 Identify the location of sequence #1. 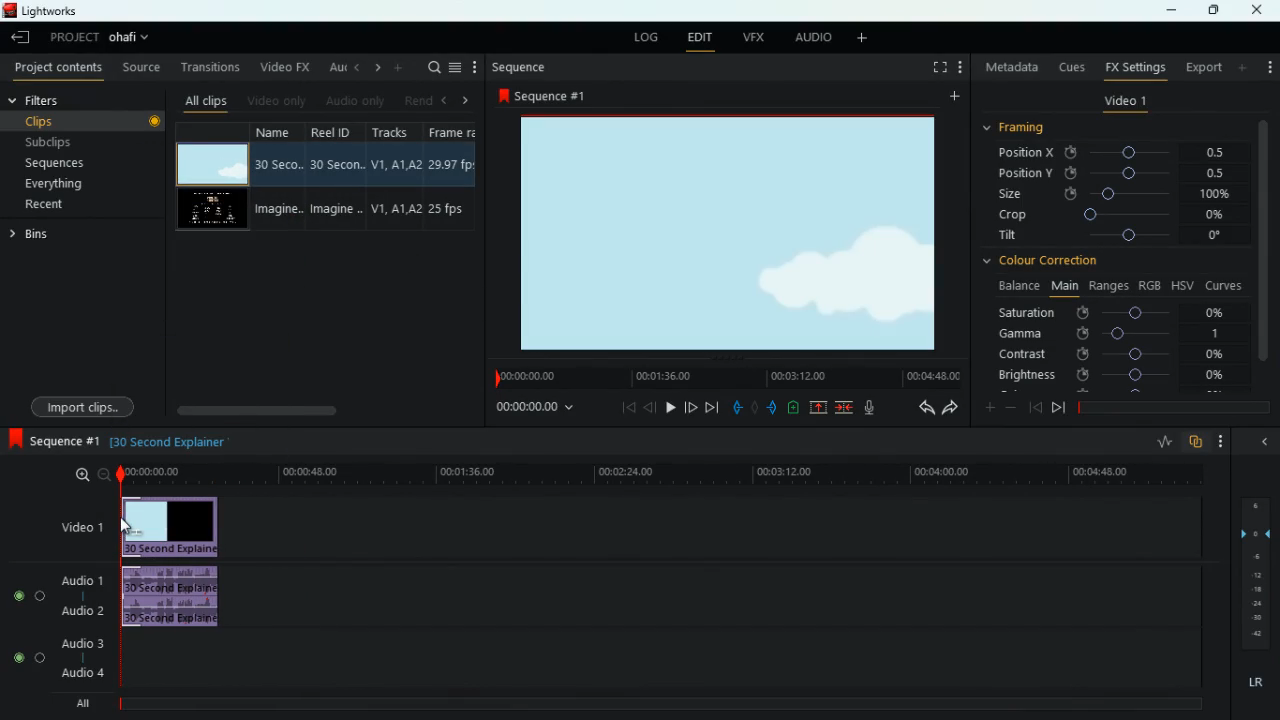
(544, 97).